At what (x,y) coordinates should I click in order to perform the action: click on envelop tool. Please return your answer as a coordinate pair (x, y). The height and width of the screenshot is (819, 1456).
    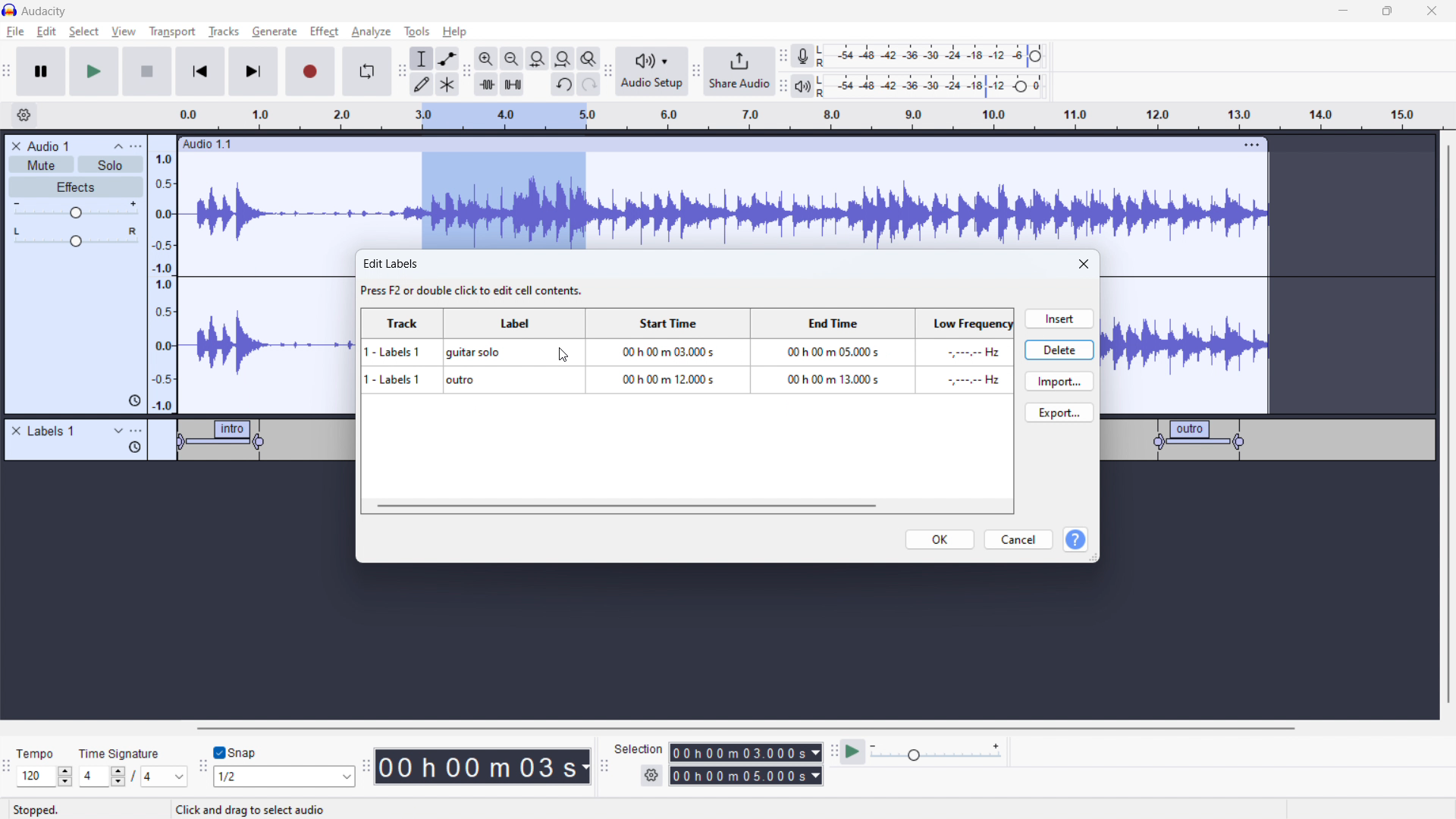
    Looking at the image, I should click on (447, 58).